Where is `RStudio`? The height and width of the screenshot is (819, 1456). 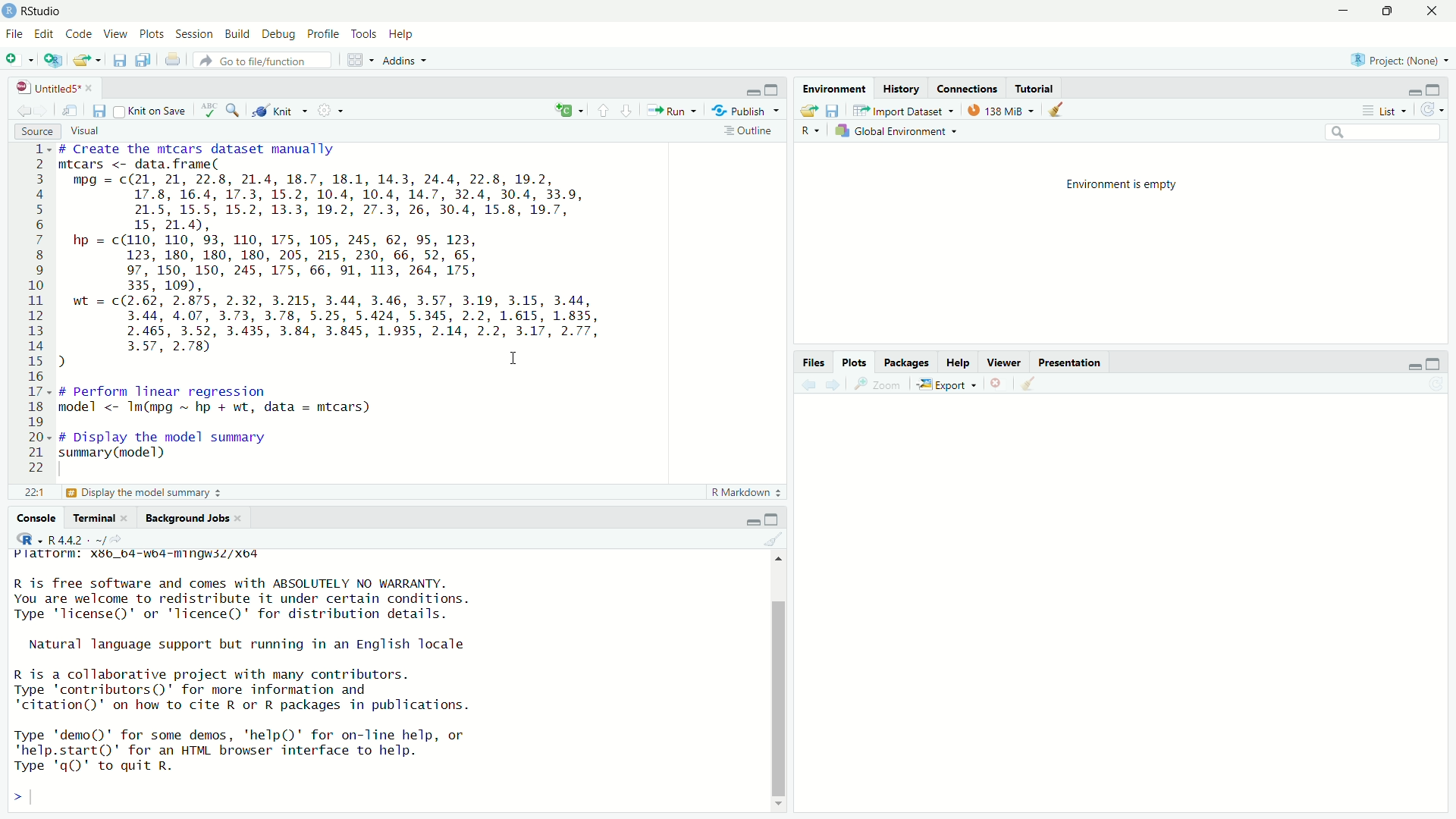 RStudio is located at coordinates (42, 11).